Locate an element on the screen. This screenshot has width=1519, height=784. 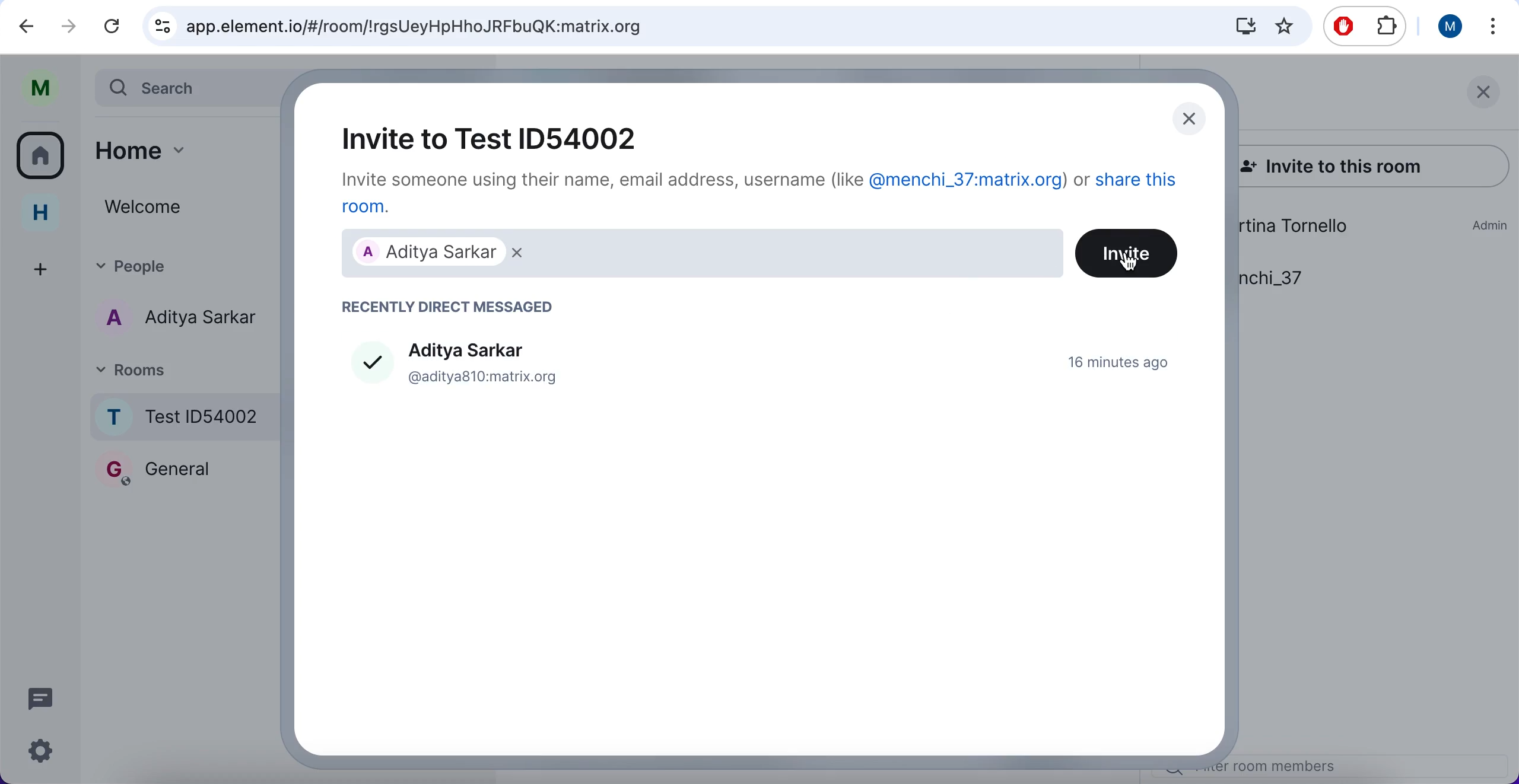
search is located at coordinates (674, 26).